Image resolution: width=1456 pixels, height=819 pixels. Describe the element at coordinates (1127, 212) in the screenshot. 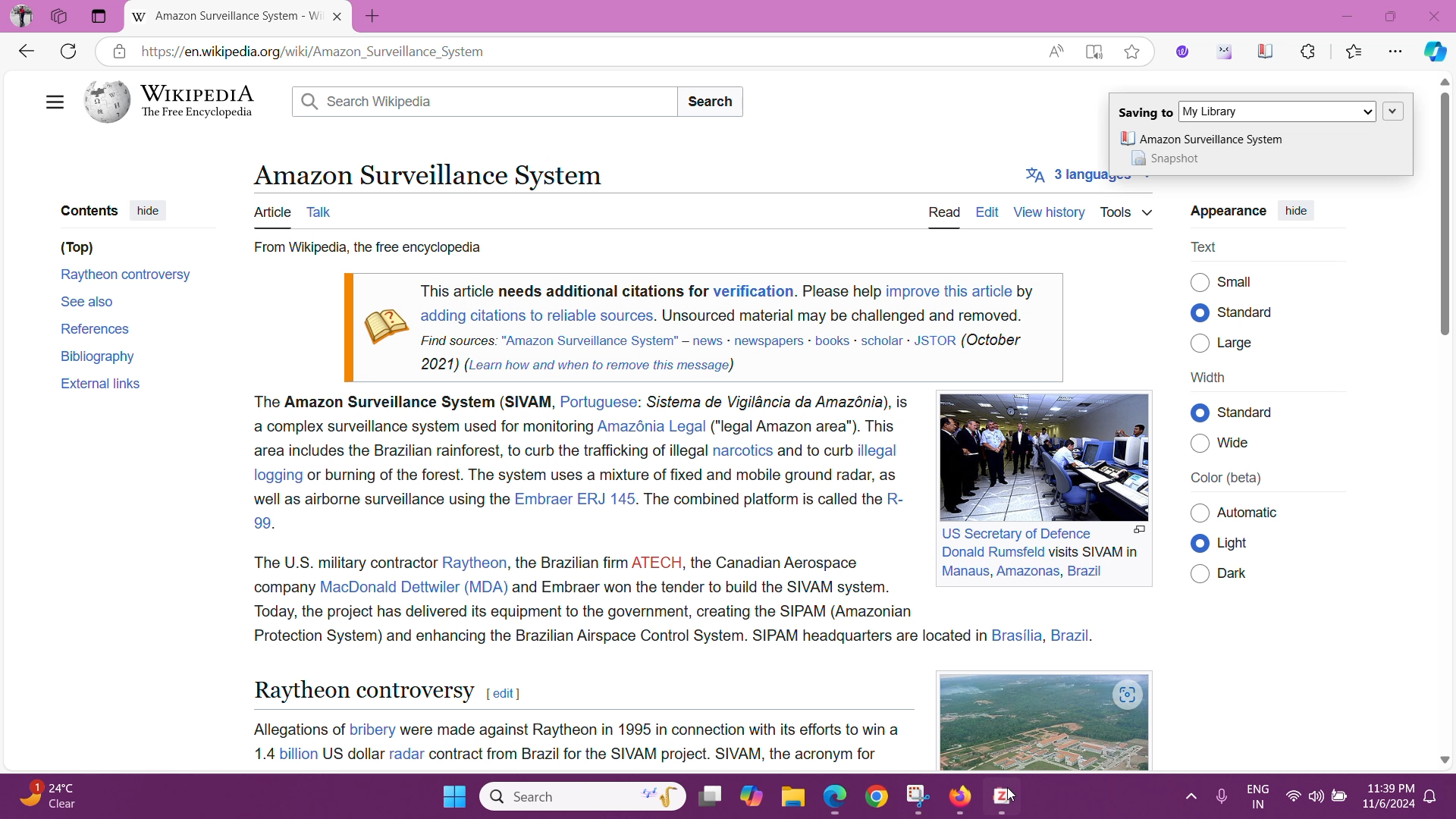

I see `Tools v` at that location.